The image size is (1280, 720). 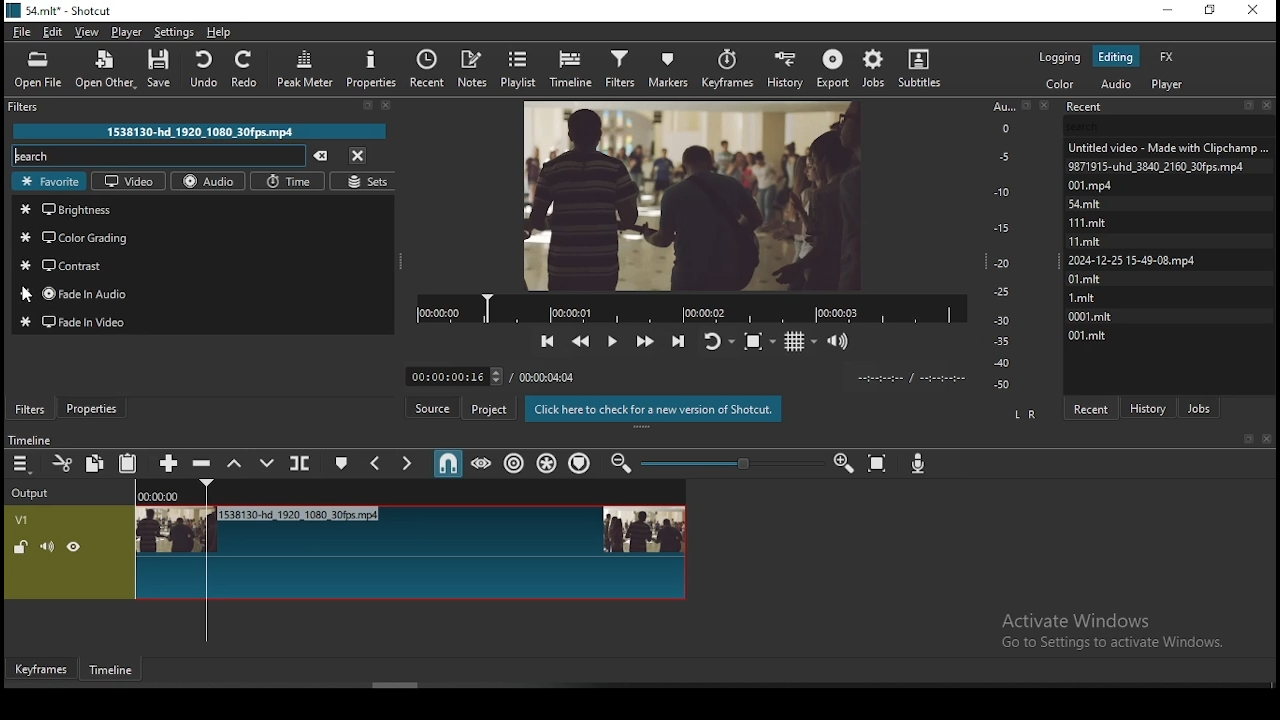 I want to click on audio, so click(x=211, y=181).